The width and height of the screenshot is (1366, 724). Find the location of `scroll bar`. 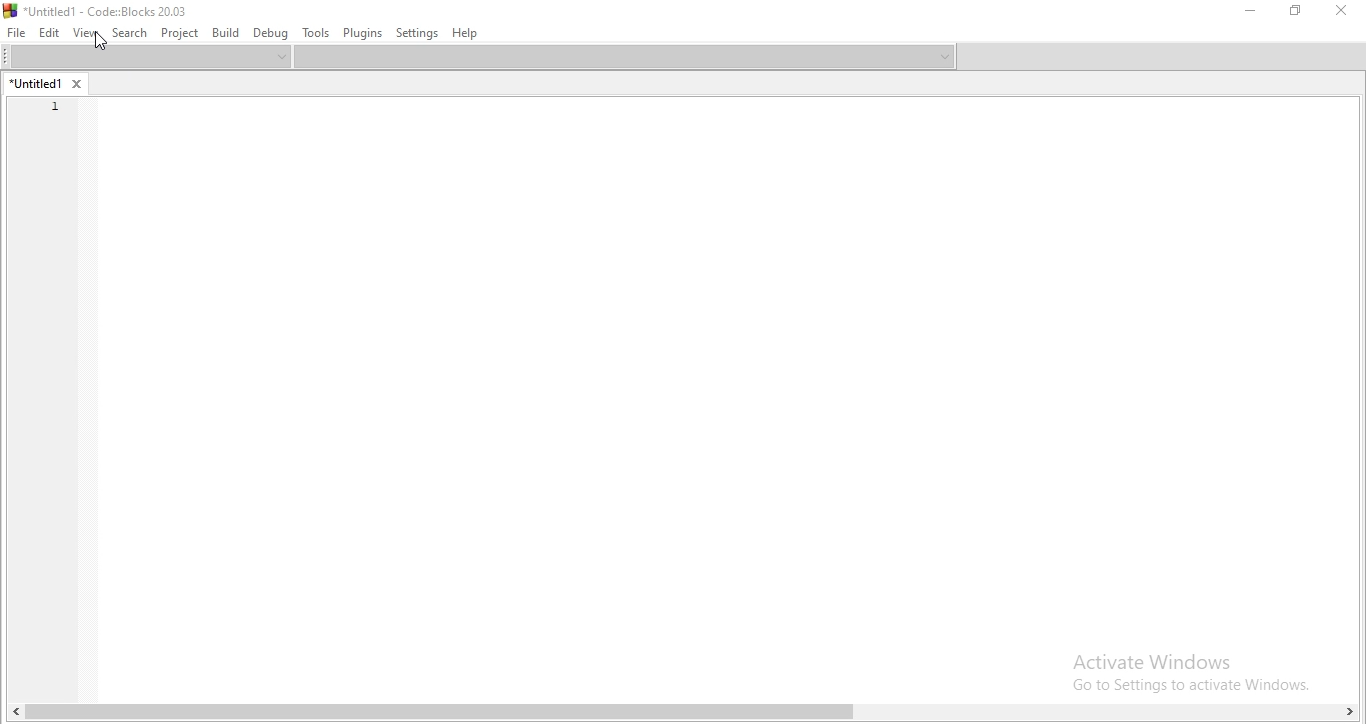

scroll bar is located at coordinates (683, 713).